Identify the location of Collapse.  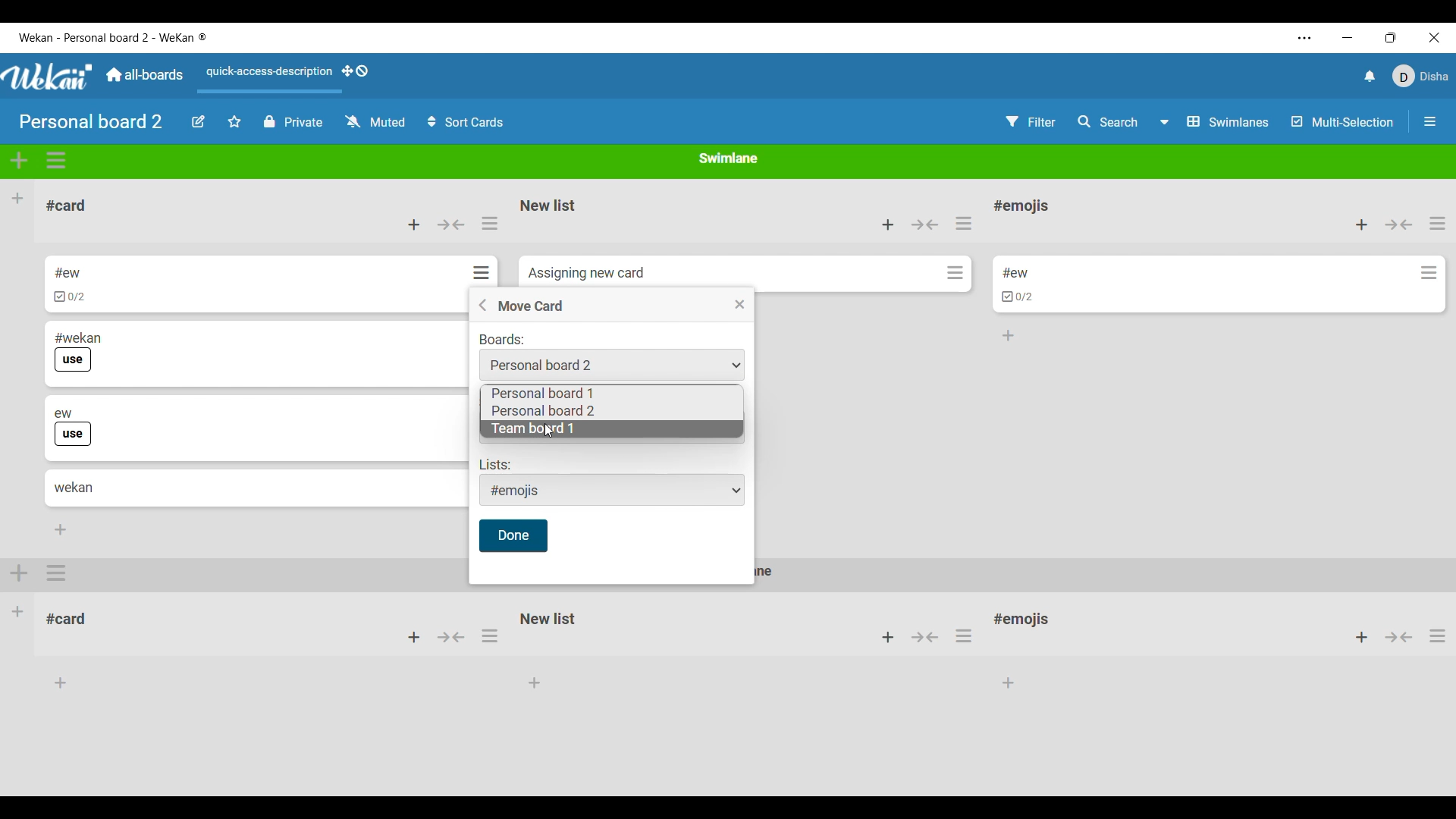
(925, 224).